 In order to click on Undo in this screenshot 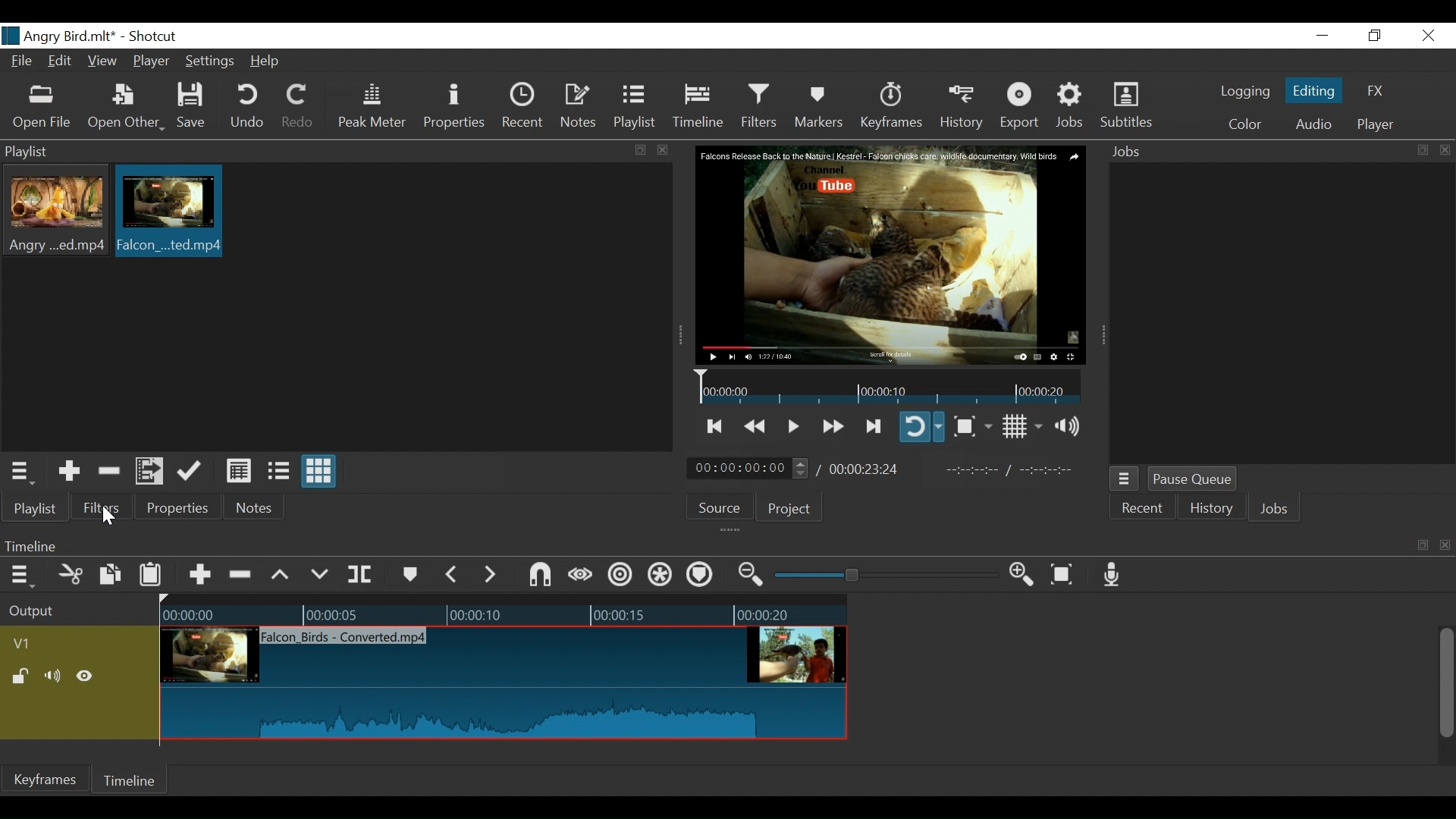, I will do `click(249, 106)`.